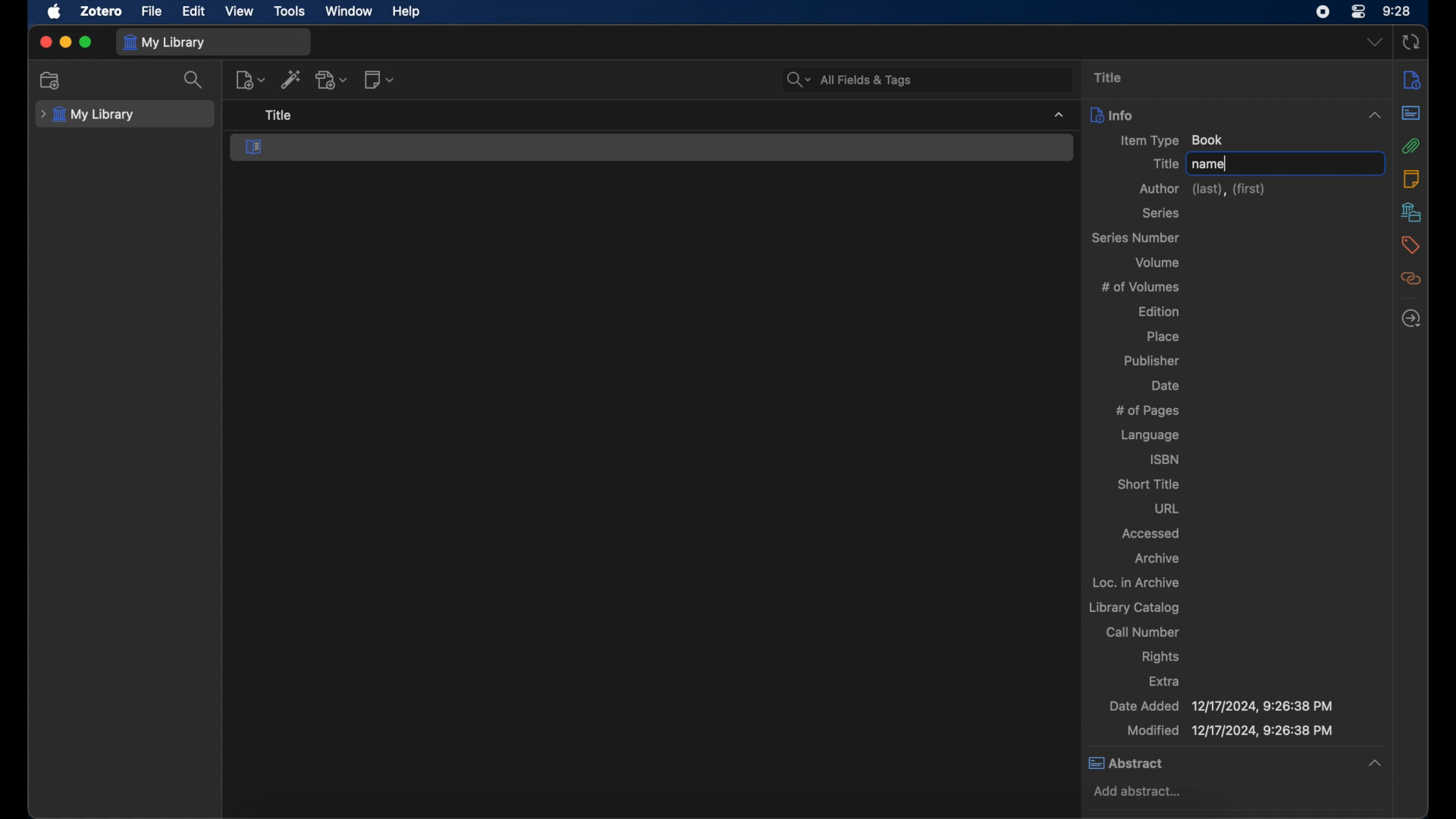 The width and height of the screenshot is (1456, 819). I want to click on dropdown, so click(1373, 42).